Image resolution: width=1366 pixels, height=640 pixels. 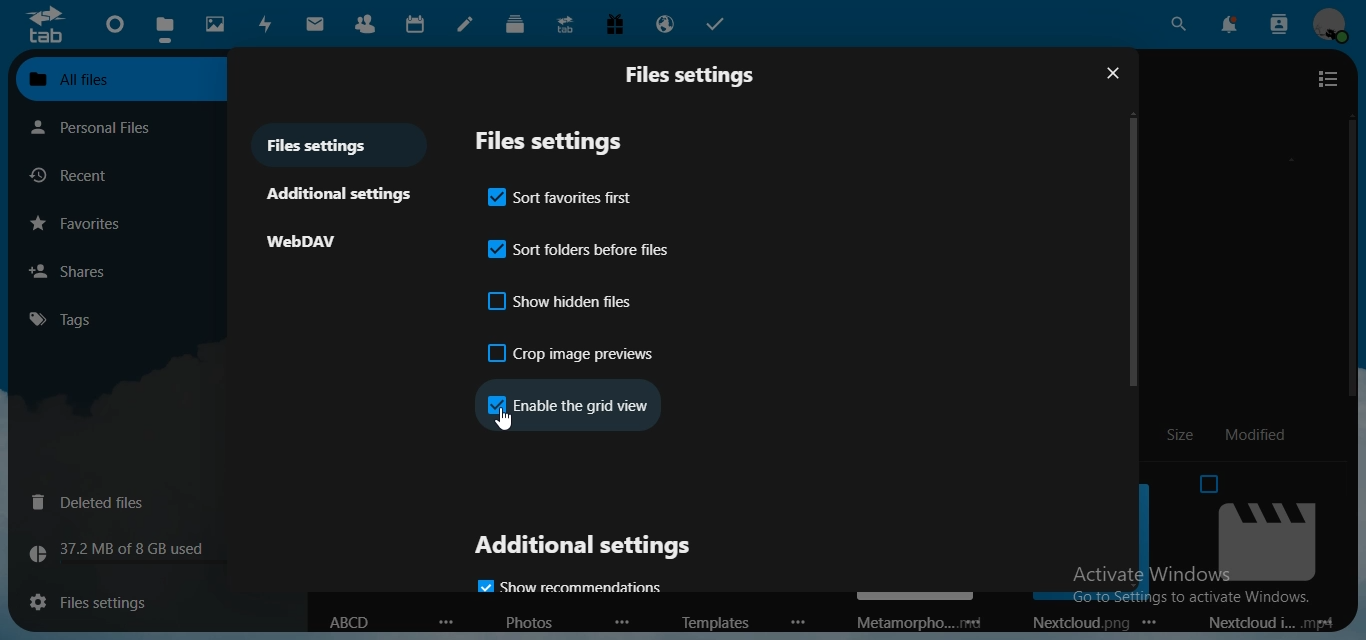 What do you see at coordinates (345, 194) in the screenshot?
I see `additional settings` at bounding box center [345, 194].